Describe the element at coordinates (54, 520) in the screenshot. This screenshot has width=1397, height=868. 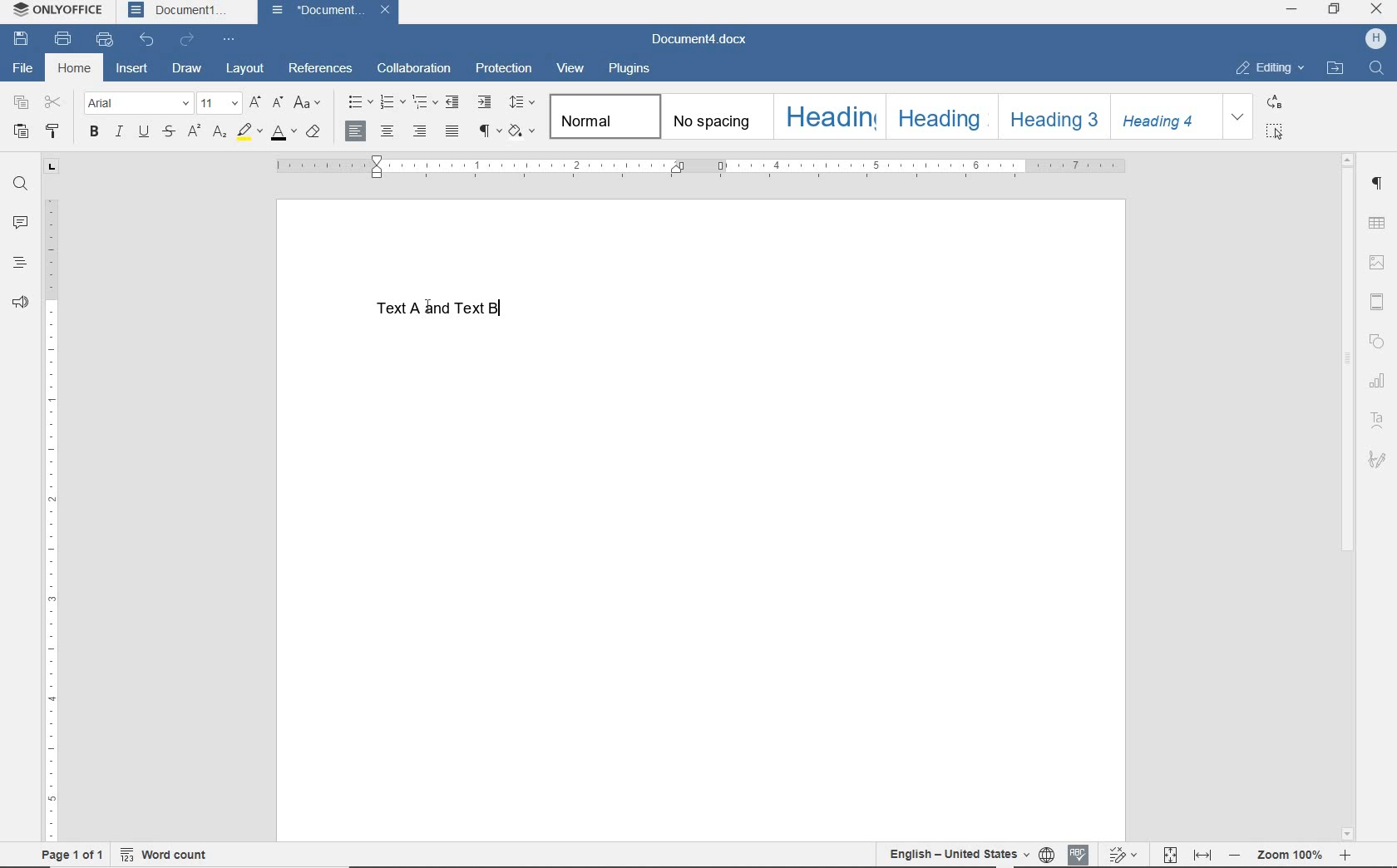
I see `RULER` at that location.